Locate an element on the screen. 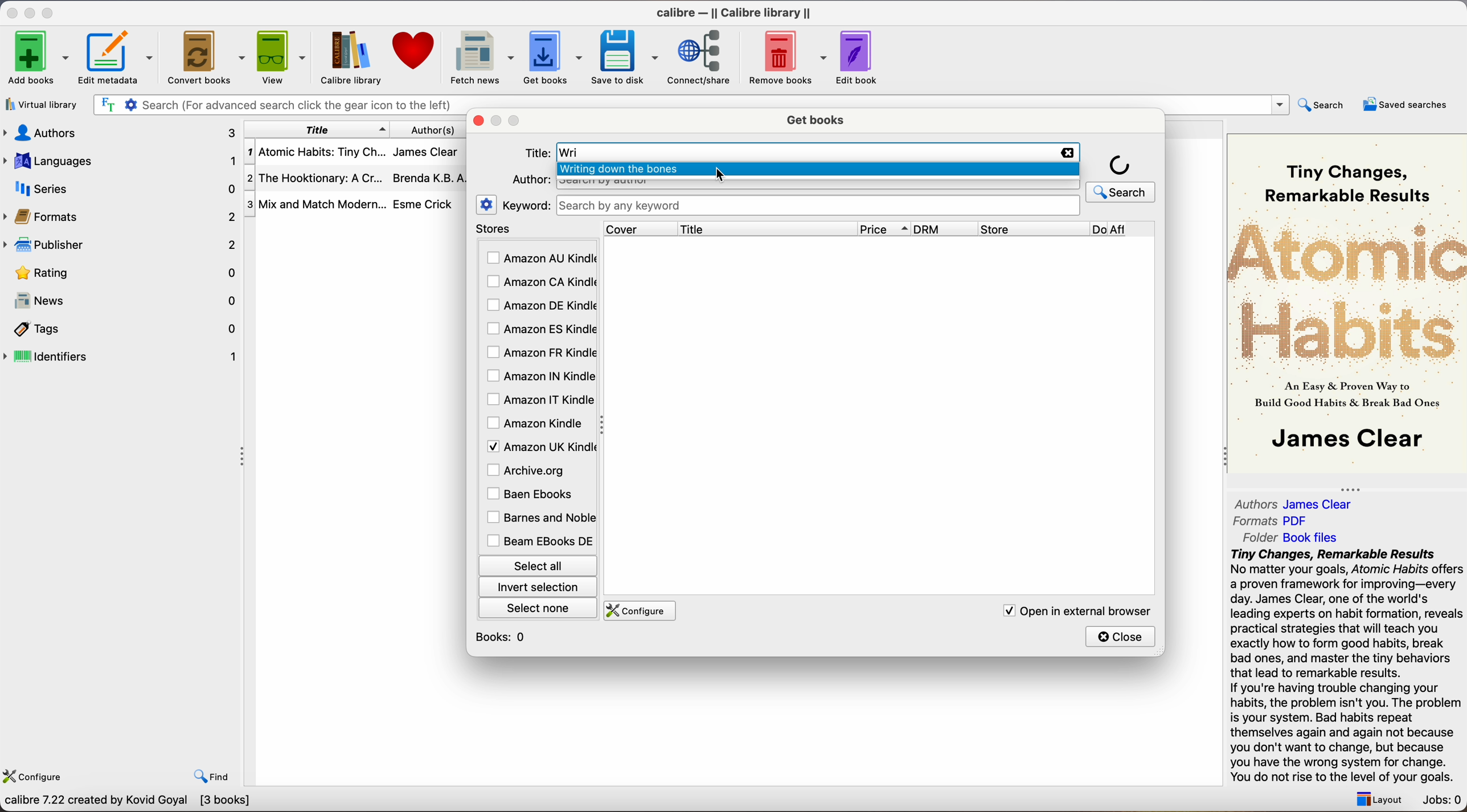 Image resolution: width=1467 pixels, height=812 pixels. folder Book files is located at coordinates (1292, 537).